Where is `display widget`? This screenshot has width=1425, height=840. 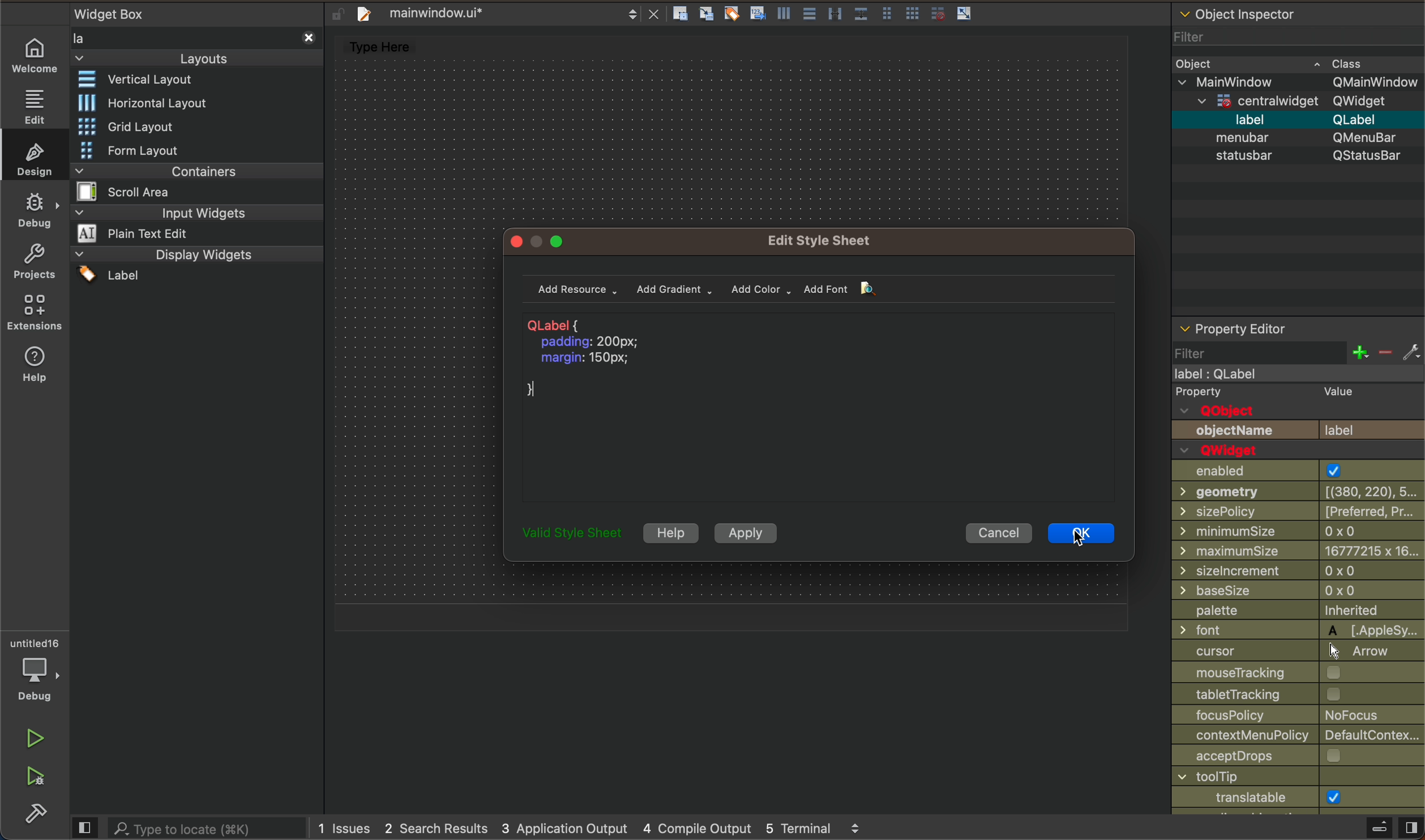
display widget is located at coordinates (194, 264).